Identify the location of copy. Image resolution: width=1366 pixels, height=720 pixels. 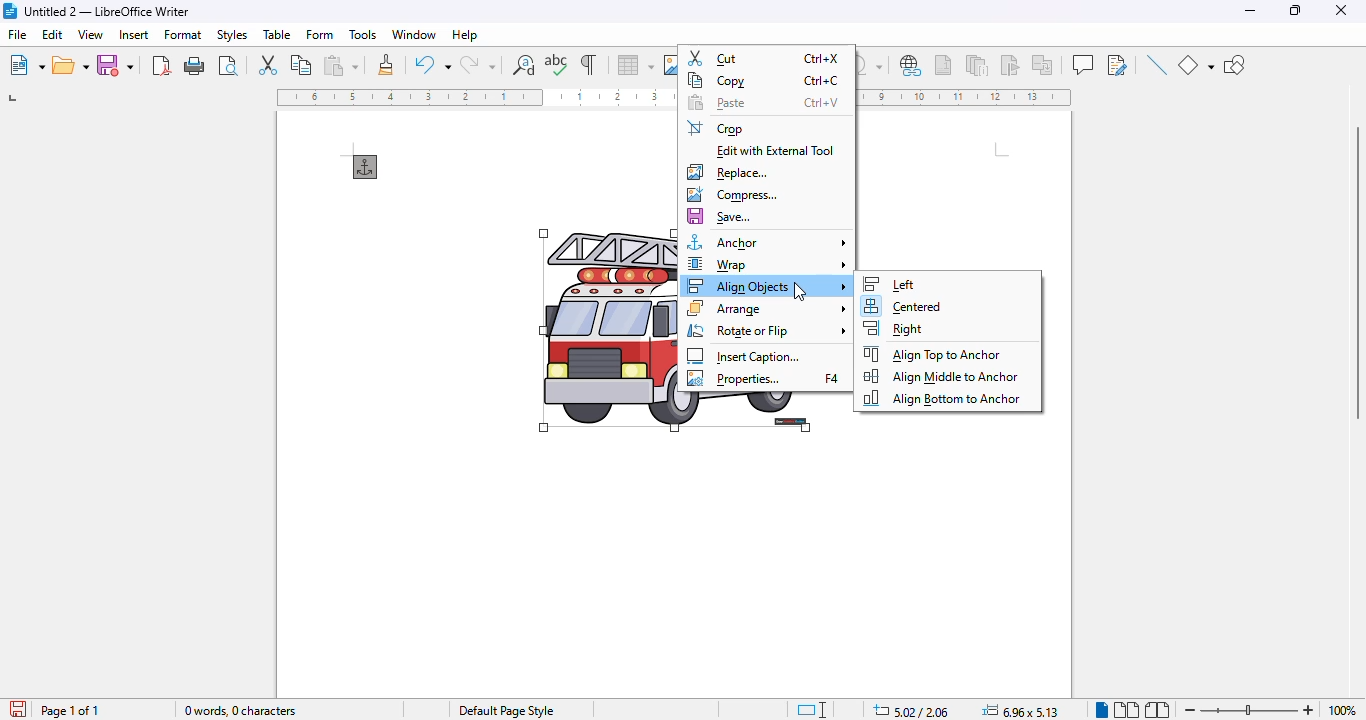
(765, 80).